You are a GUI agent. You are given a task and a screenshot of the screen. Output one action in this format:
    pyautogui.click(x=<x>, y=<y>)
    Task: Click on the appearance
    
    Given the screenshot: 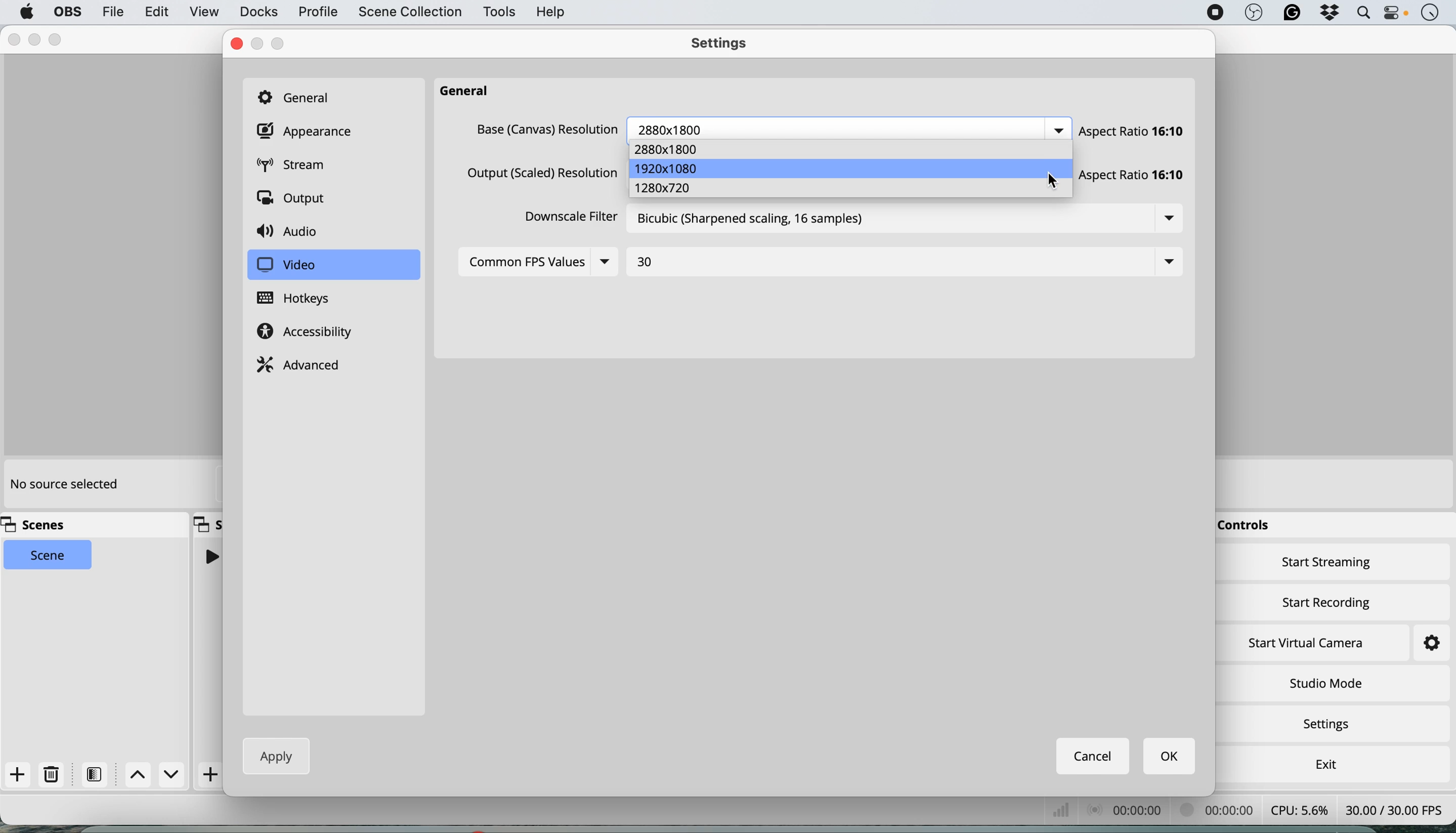 What is the action you would take?
    pyautogui.click(x=308, y=132)
    